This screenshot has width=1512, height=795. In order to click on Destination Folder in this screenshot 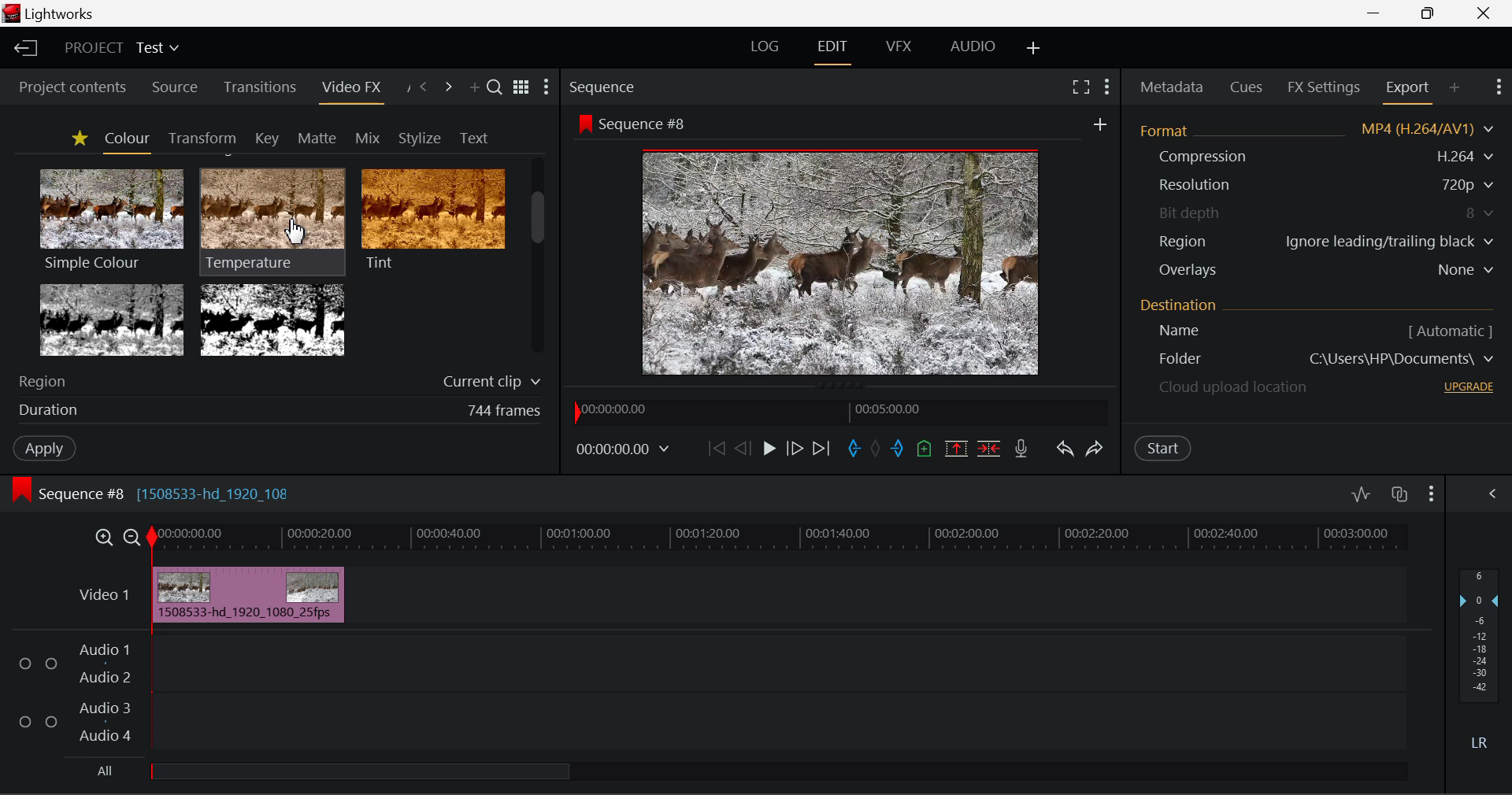, I will do `click(1171, 360)`.